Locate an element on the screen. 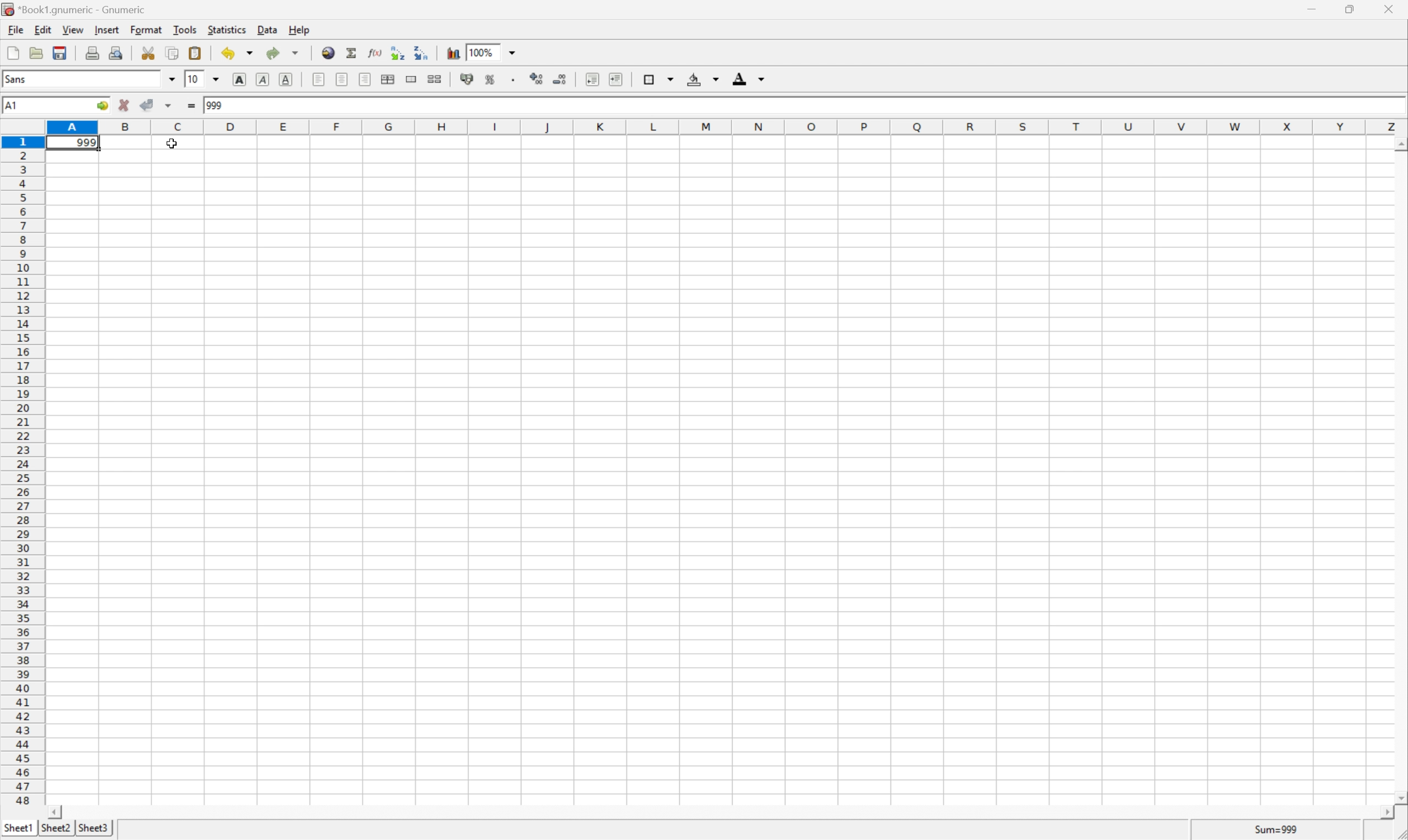  print current file is located at coordinates (92, 51).